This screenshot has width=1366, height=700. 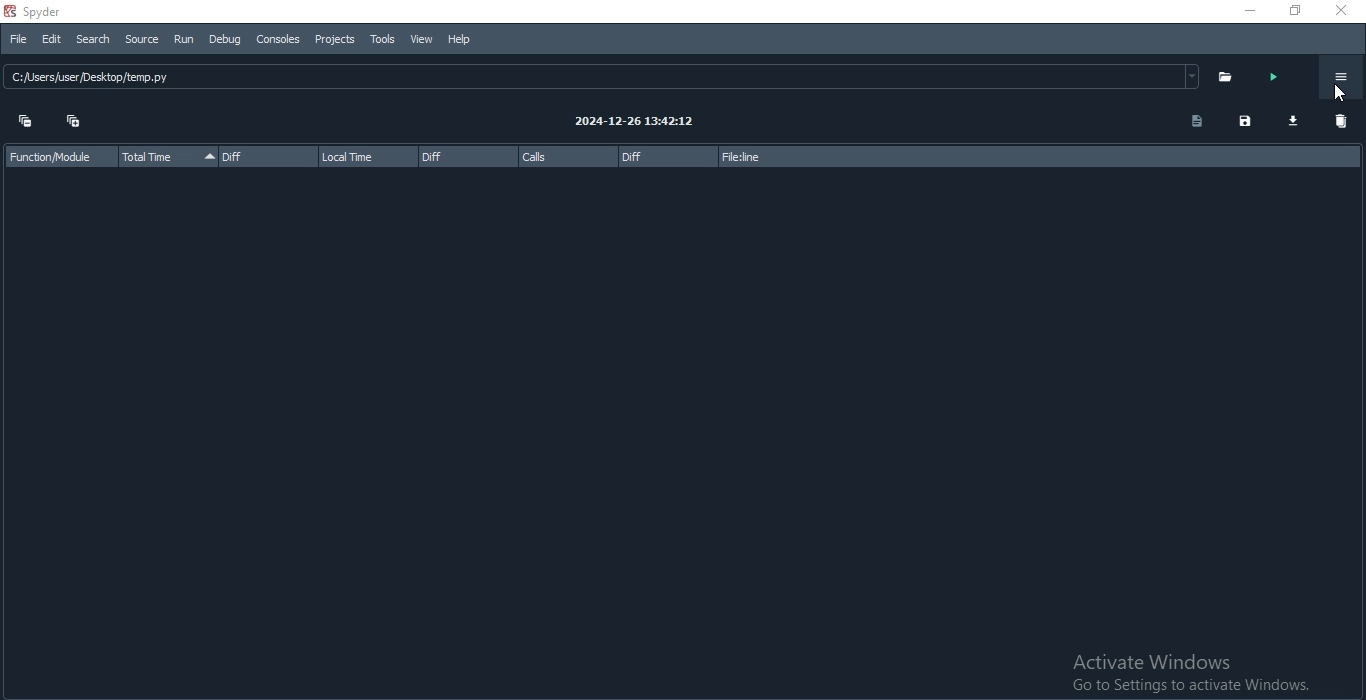 I want to click on total time, so click(x=164, y=155).